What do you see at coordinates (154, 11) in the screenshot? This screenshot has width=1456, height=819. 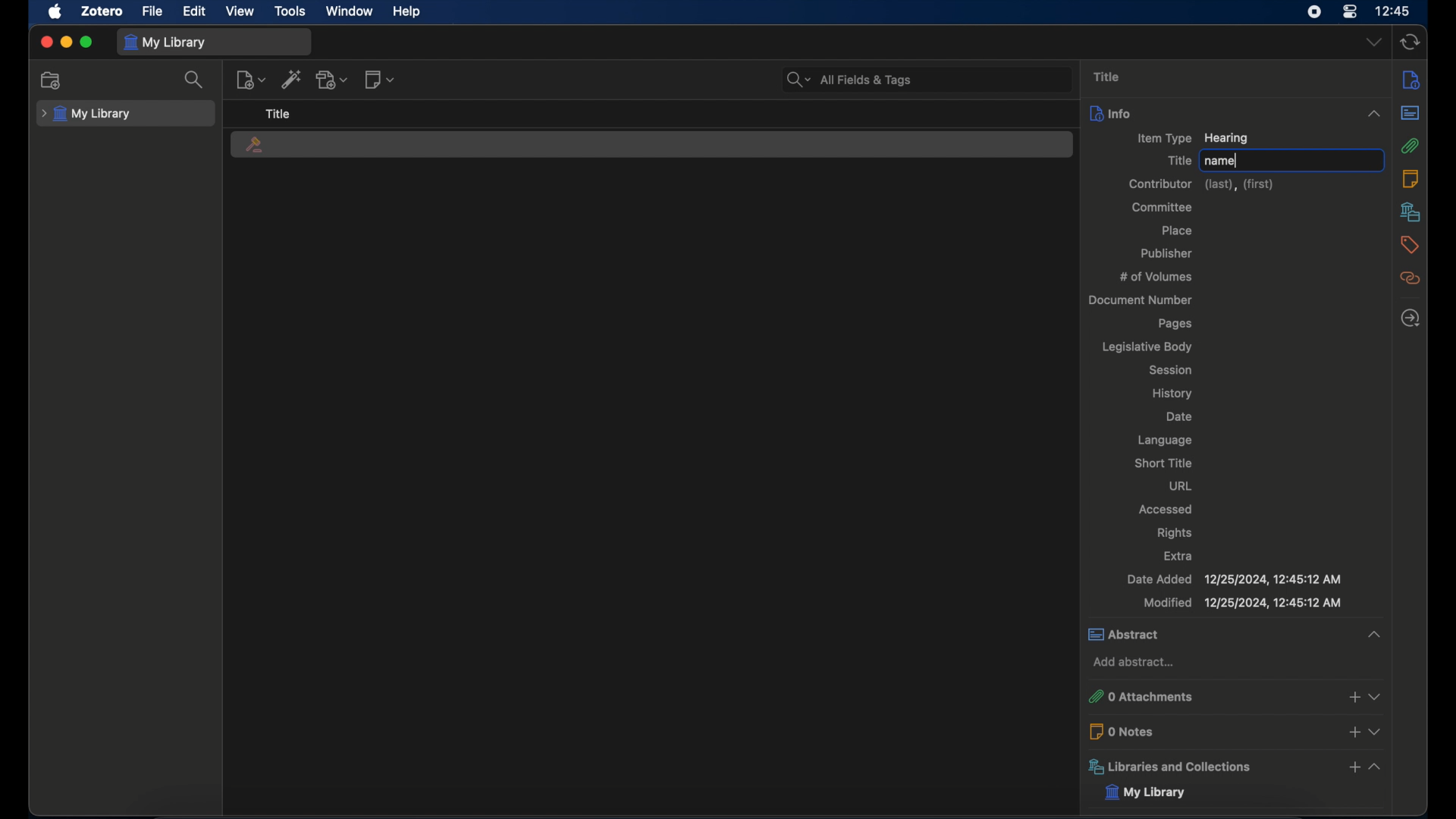 I see `file` at bounding box center [154, 11].